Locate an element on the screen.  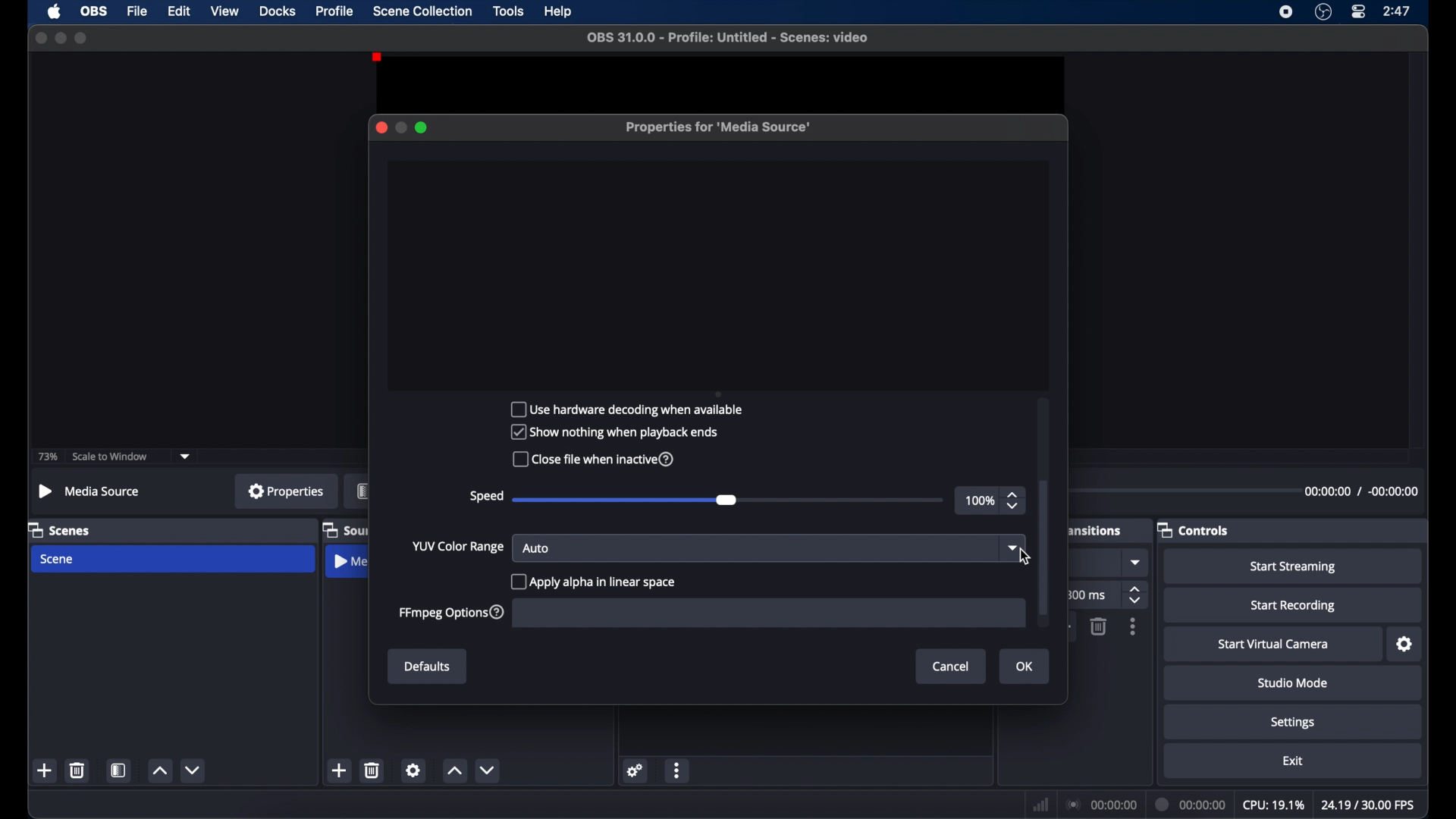
more options is located at coordinates (678, 770).